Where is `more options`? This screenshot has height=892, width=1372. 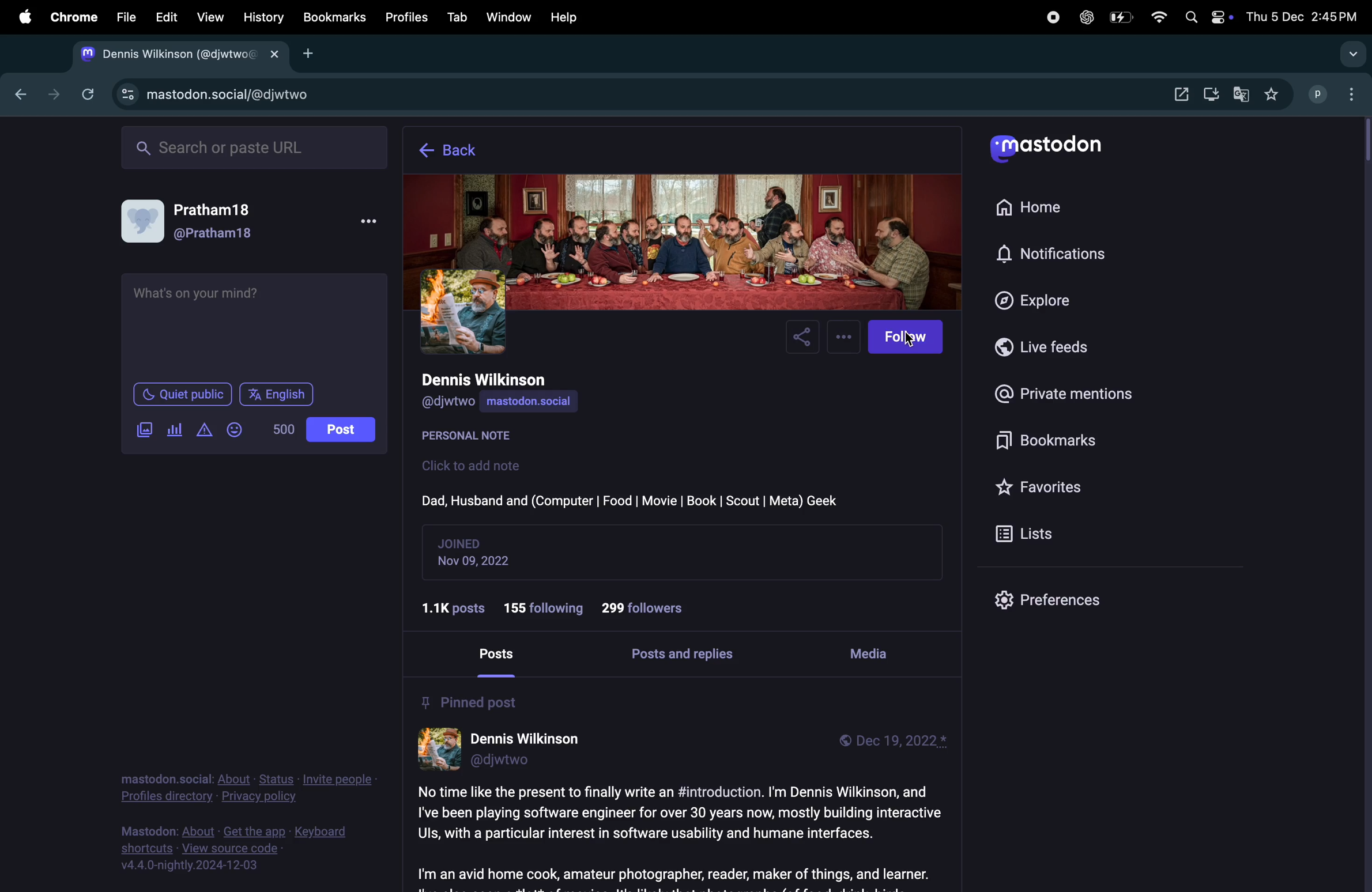 more options is located at coordinates (845, 336).